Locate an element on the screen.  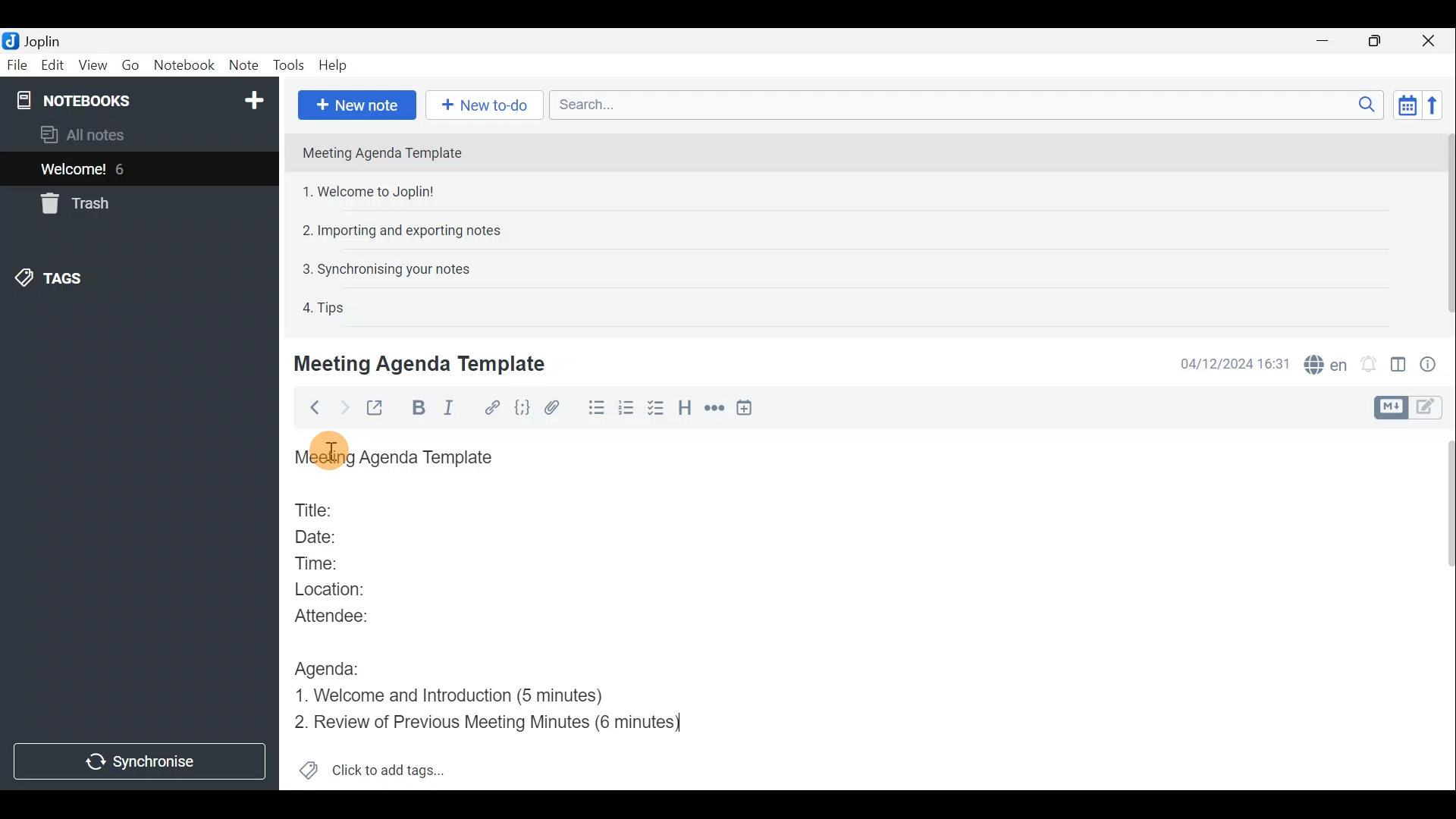
Numbered list is located at coordinates (626, 410).